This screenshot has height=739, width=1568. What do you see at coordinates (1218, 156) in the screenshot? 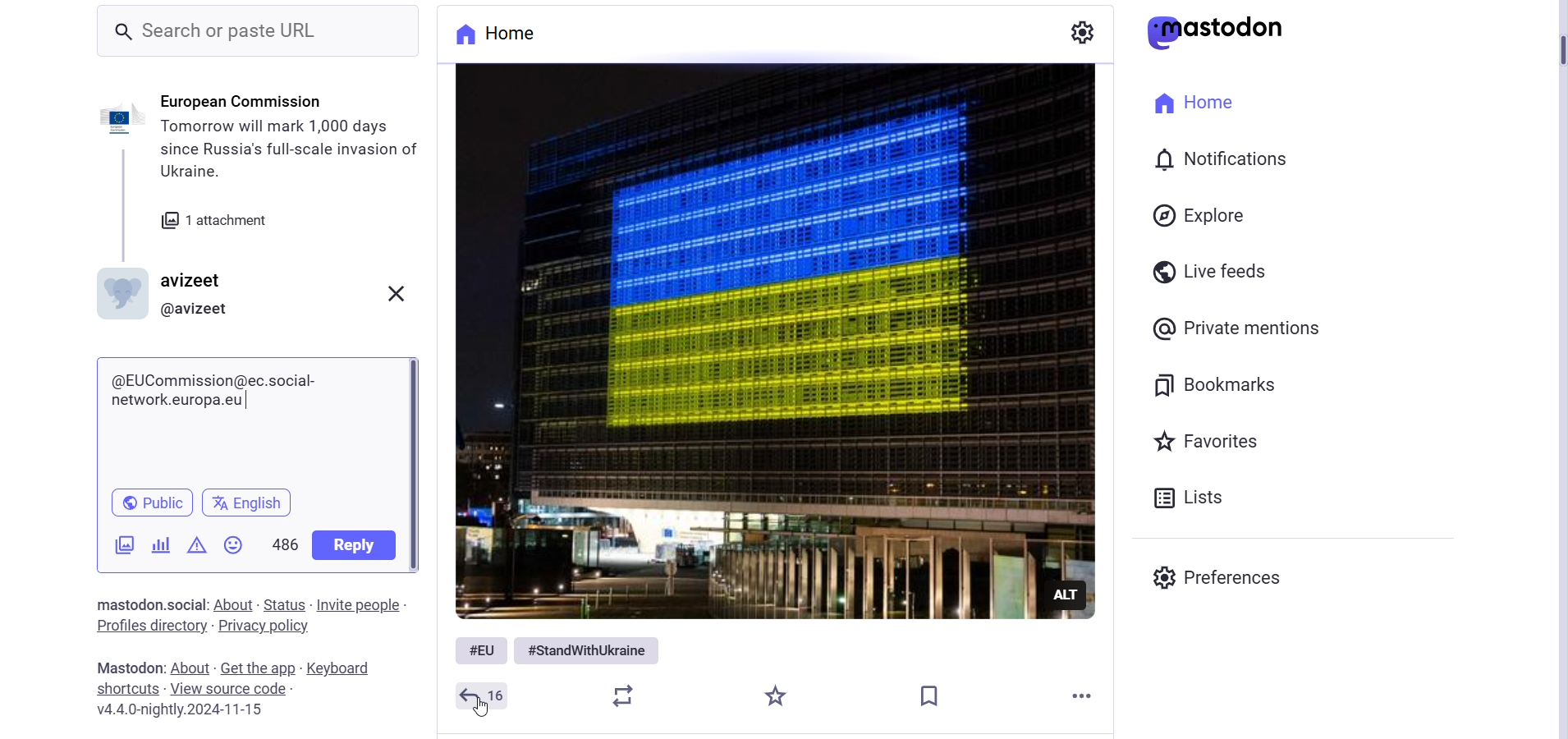
I see `Notification` at bounding box center [1218, 156].